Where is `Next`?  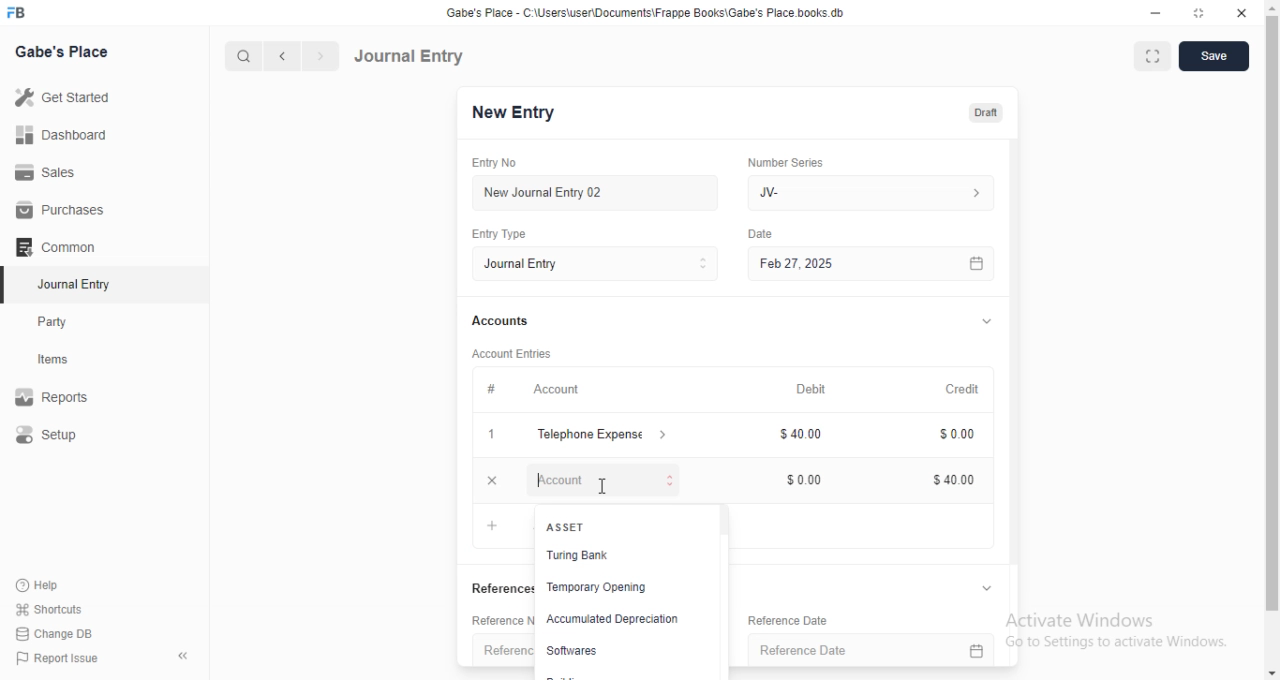
Next is located at coordinates (319, 56).